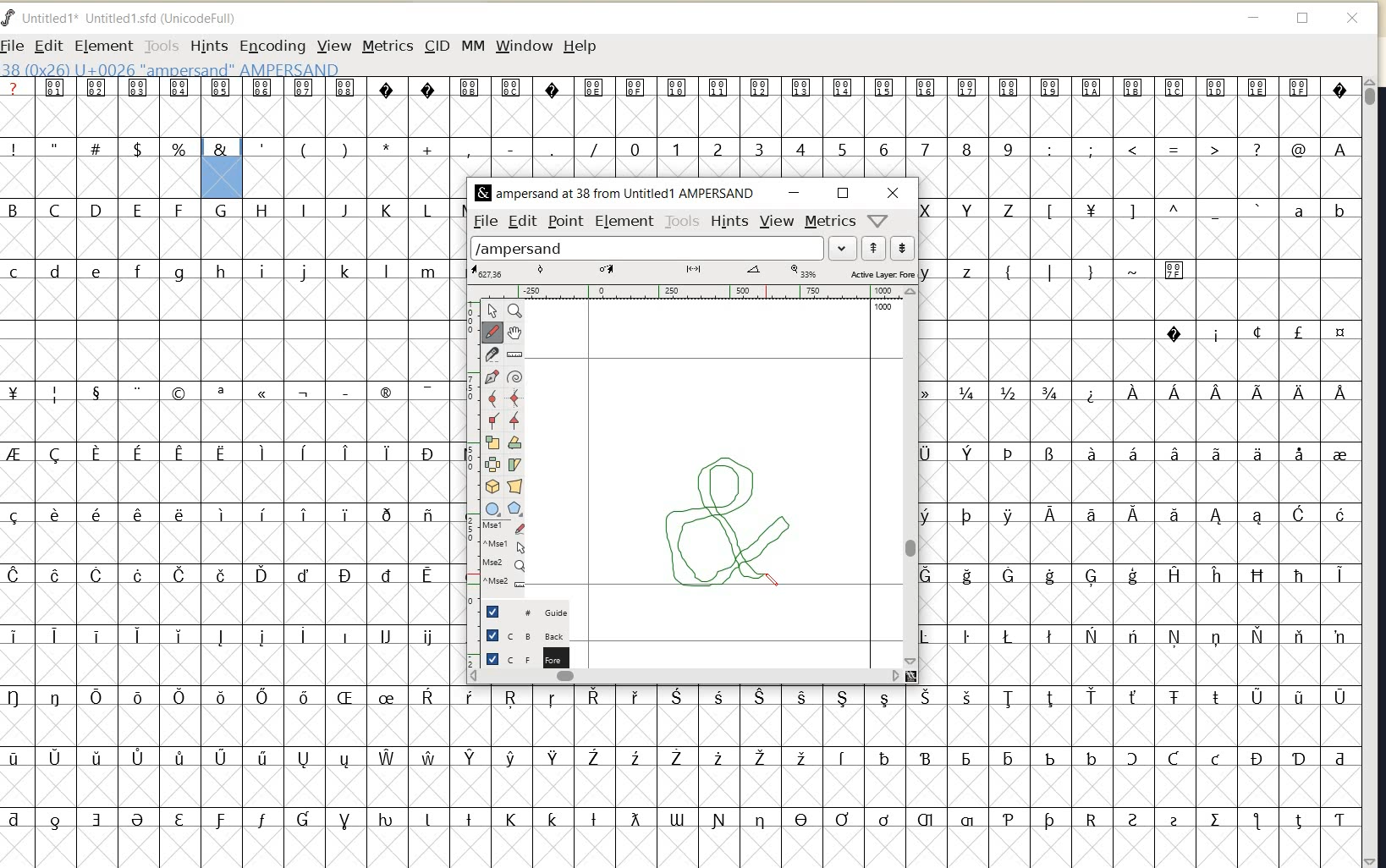 The image size is (1386, 868). Describe the element at coordinates (1251, 19) in the screenshot. I see `minimize` at that location.